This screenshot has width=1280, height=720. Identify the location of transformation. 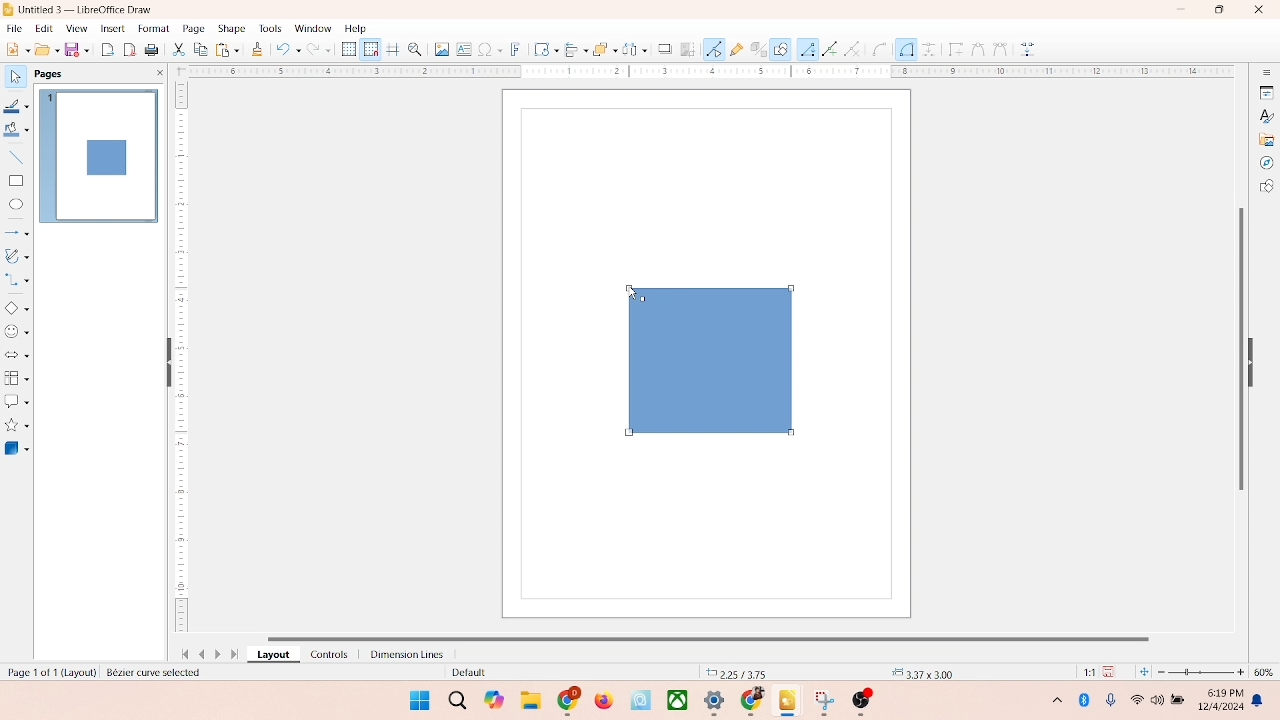
(541, 49).